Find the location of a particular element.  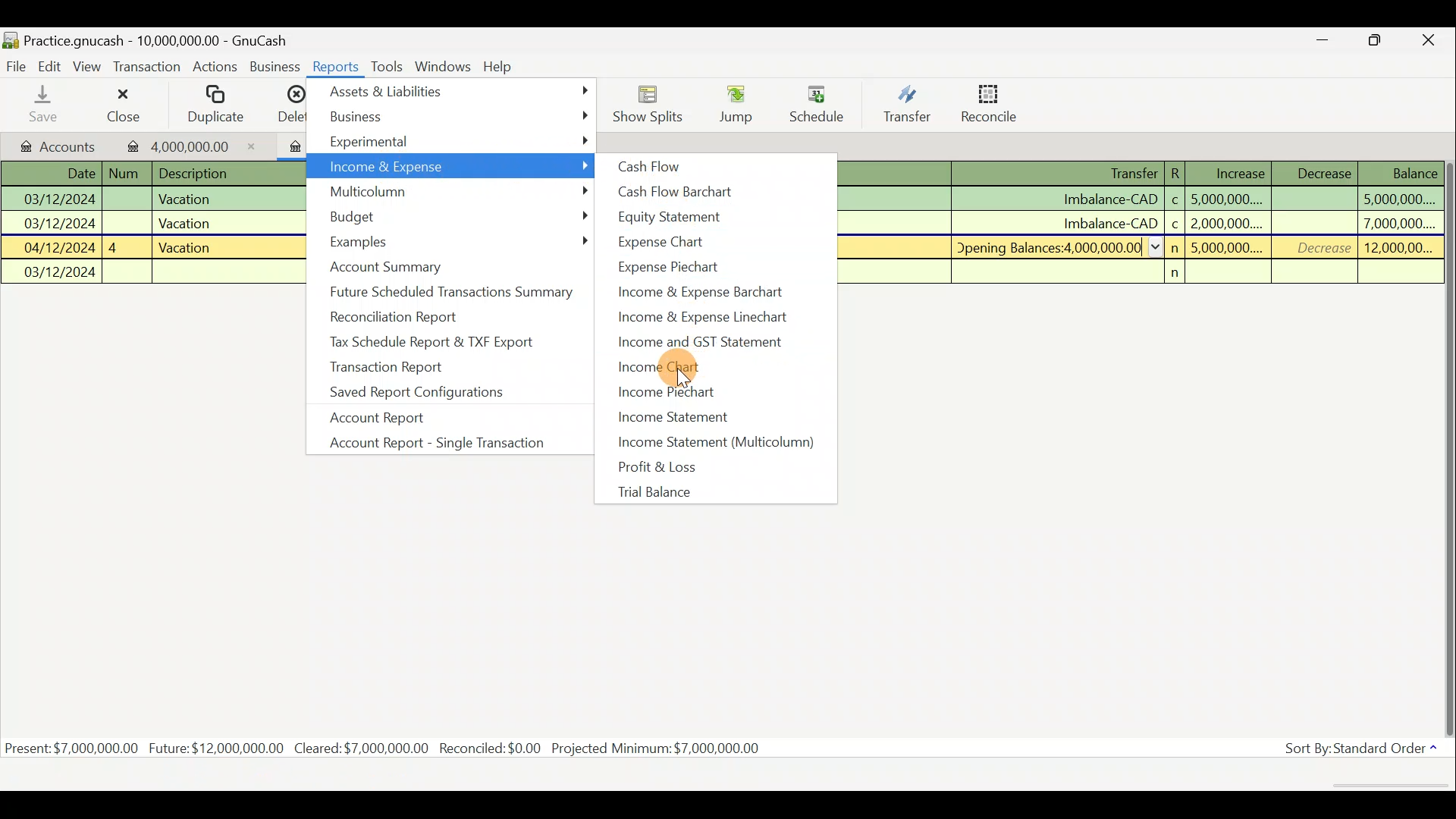

Imbalance-CAD is located at coordinates (1110, 199).